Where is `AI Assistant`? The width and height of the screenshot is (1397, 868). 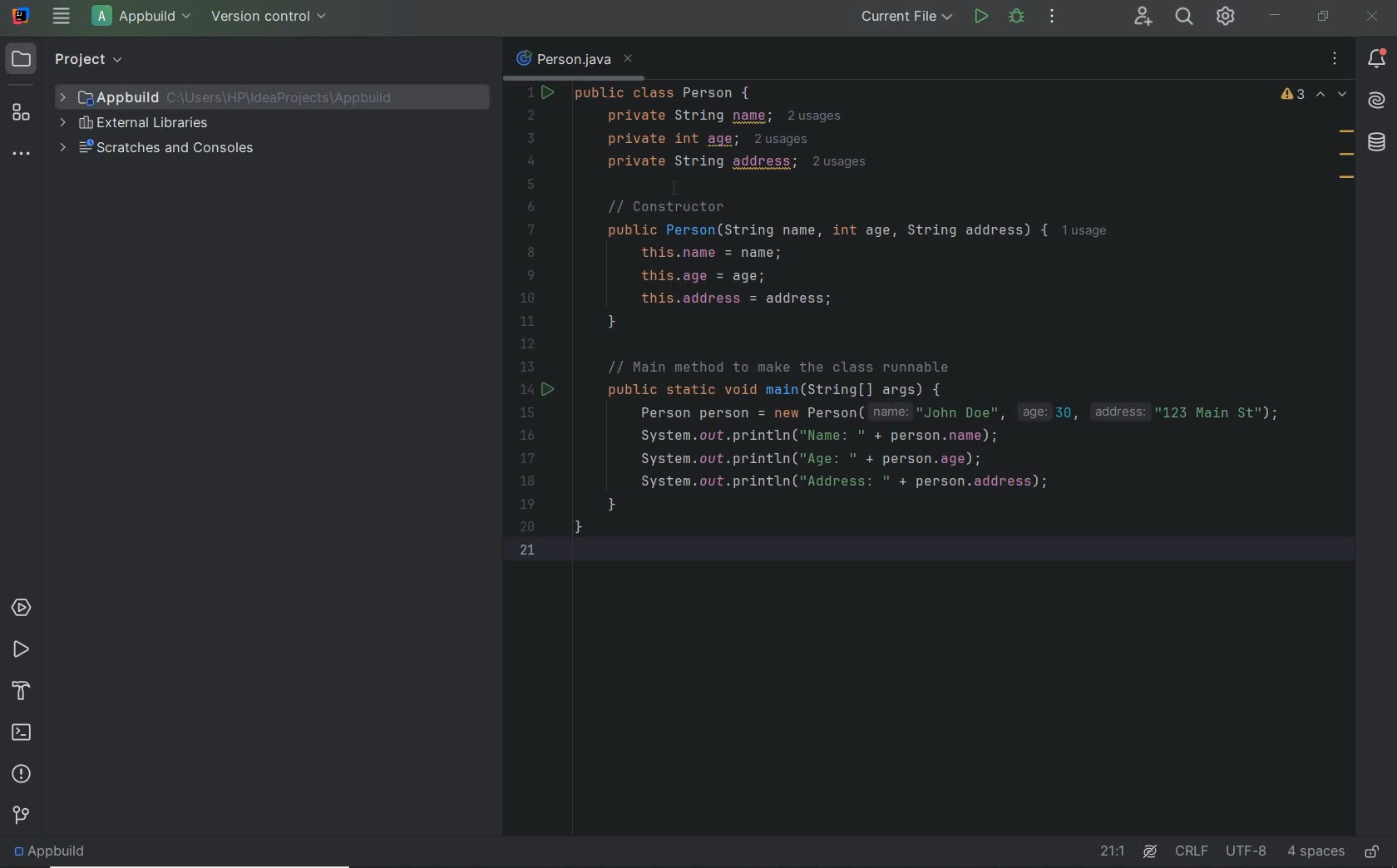 AI Assistant is located at coordinates (1149, 852).